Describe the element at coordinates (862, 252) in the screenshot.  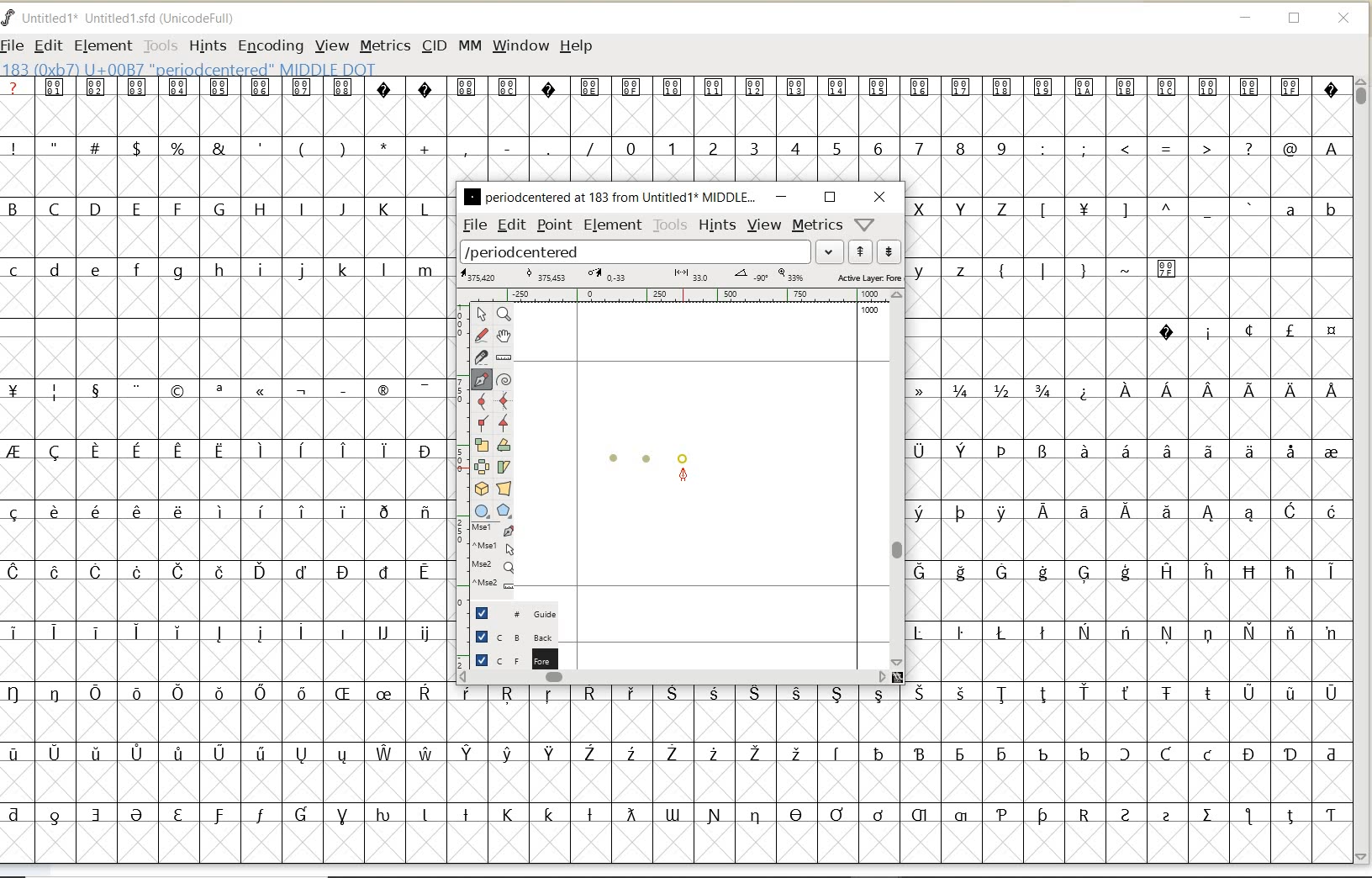
I see `show previous word list` at that location.